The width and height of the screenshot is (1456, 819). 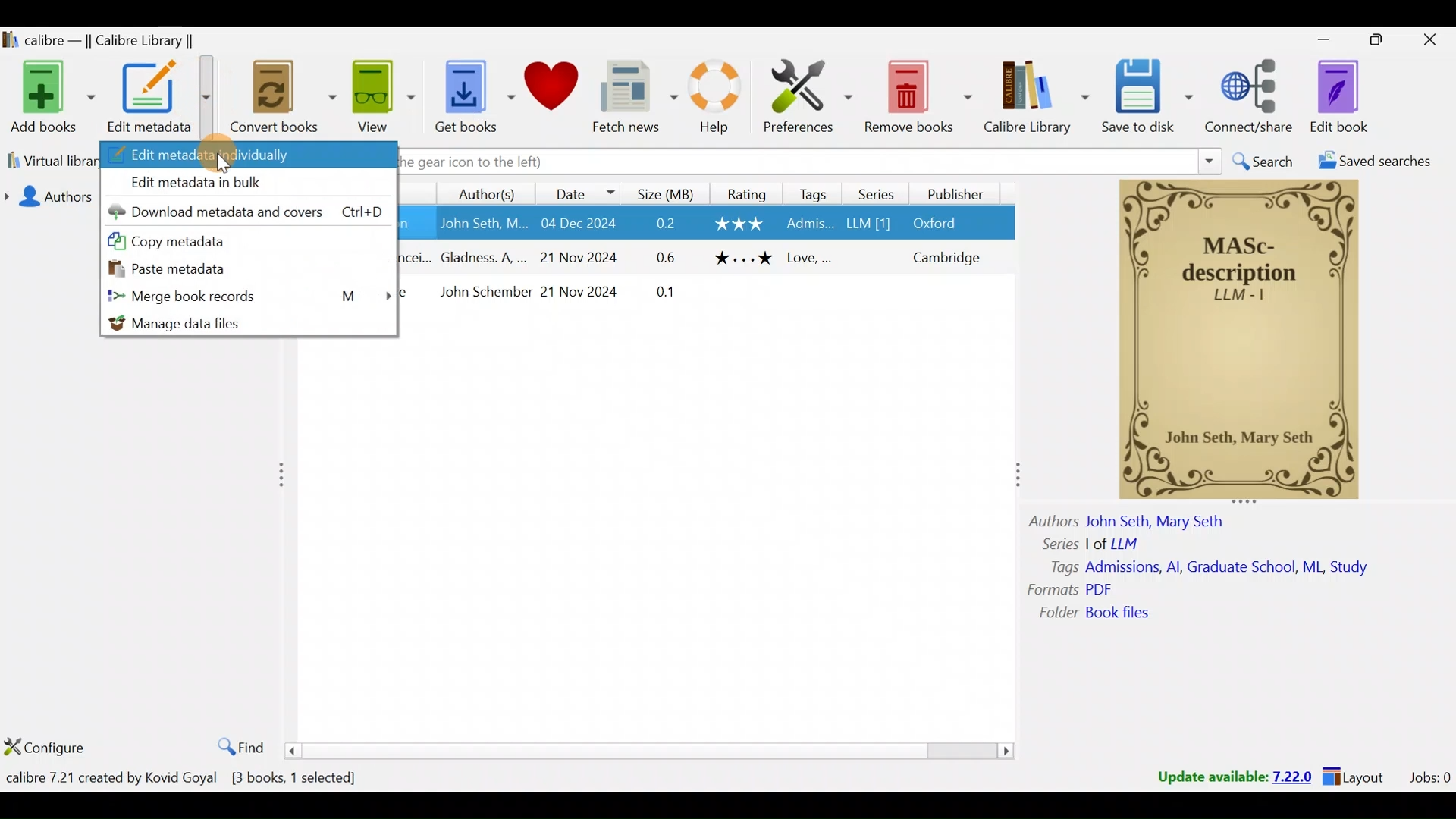 I want to click on , so click(x=1055, y=613).